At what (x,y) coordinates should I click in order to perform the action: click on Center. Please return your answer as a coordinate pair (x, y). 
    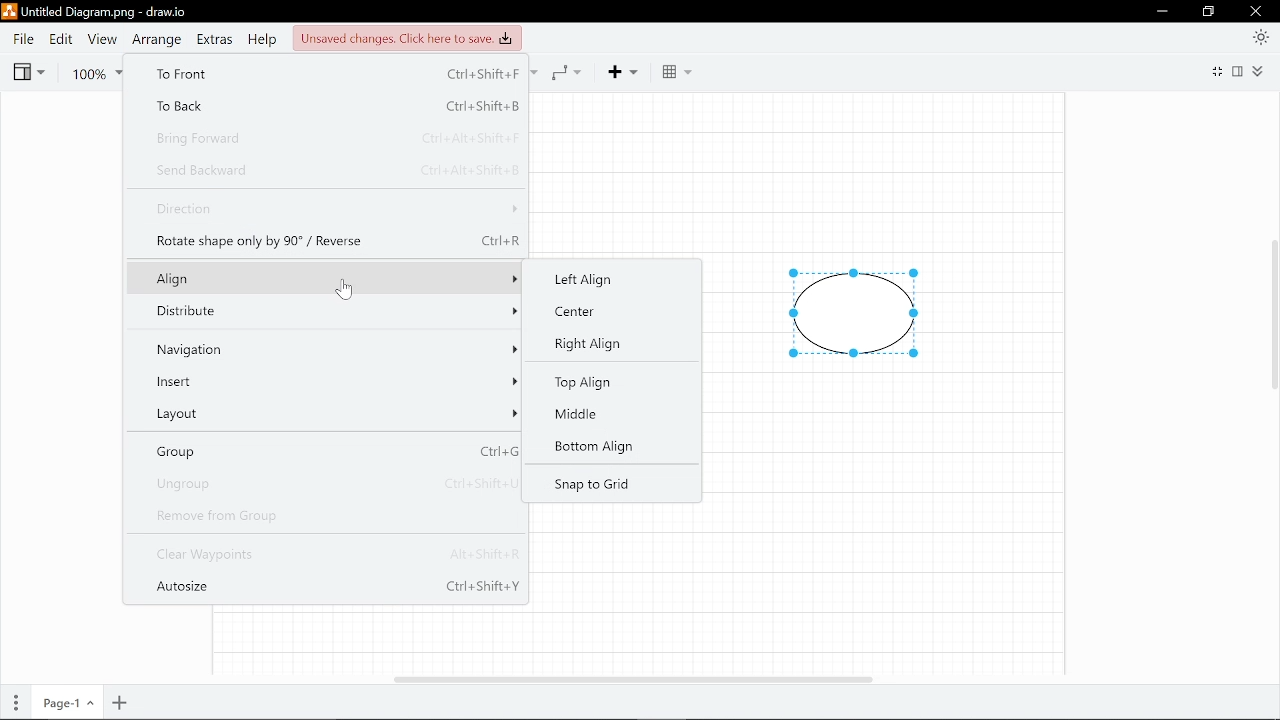
    Looking at the image, I should click on (602, 312).